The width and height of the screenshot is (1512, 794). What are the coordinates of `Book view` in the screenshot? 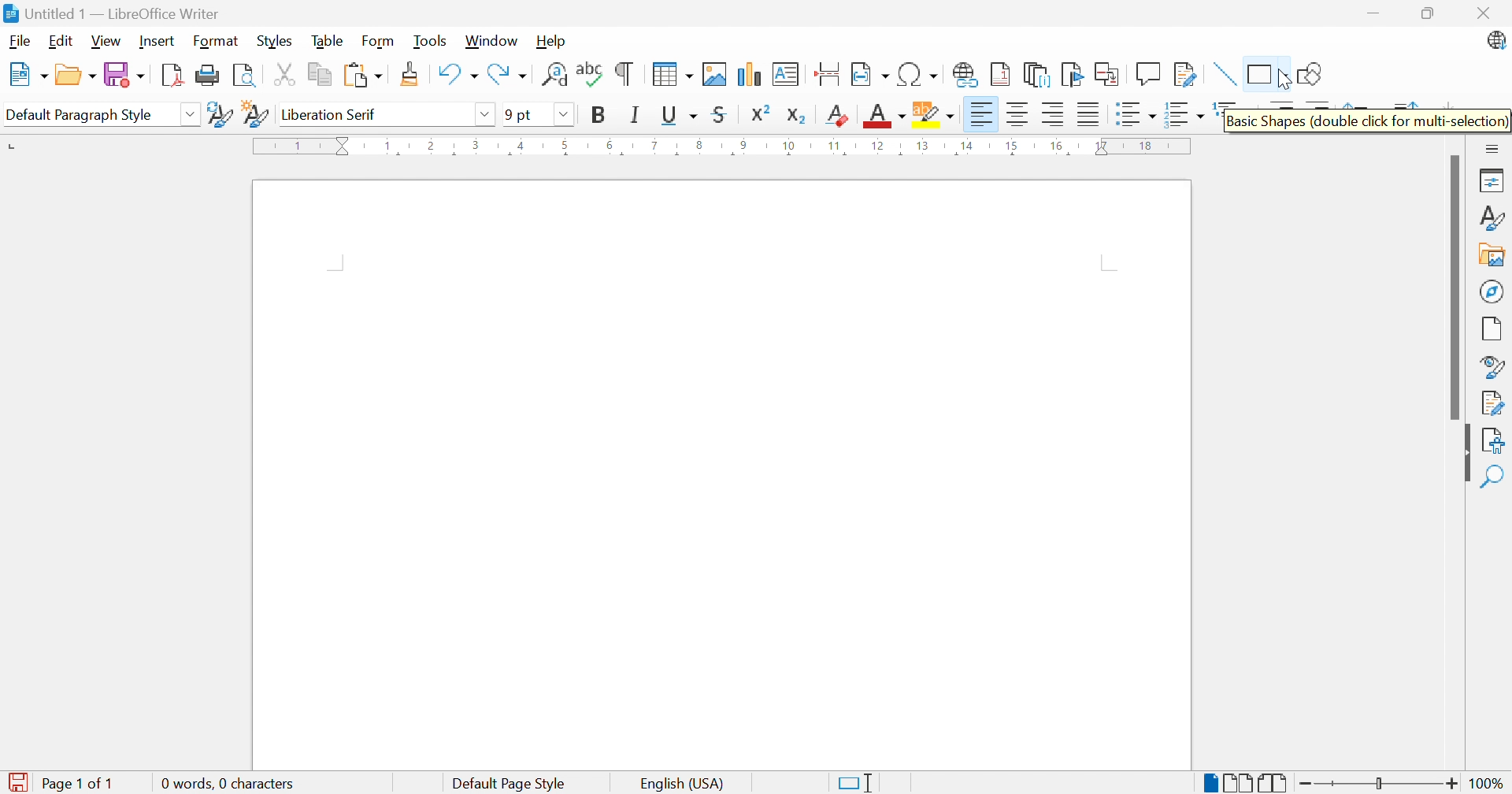 It's located at (1273, 784).